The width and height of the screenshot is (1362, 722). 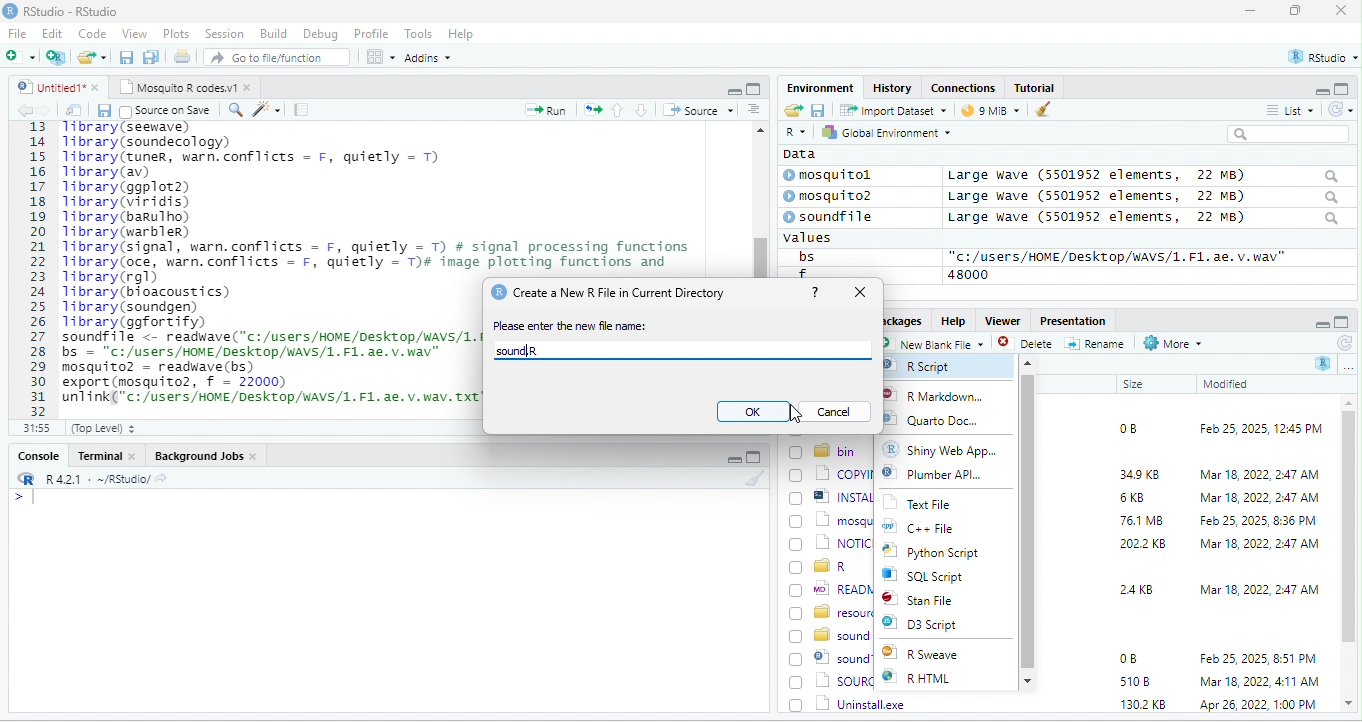 I want to click on maximize, so click(x=753, y=88).